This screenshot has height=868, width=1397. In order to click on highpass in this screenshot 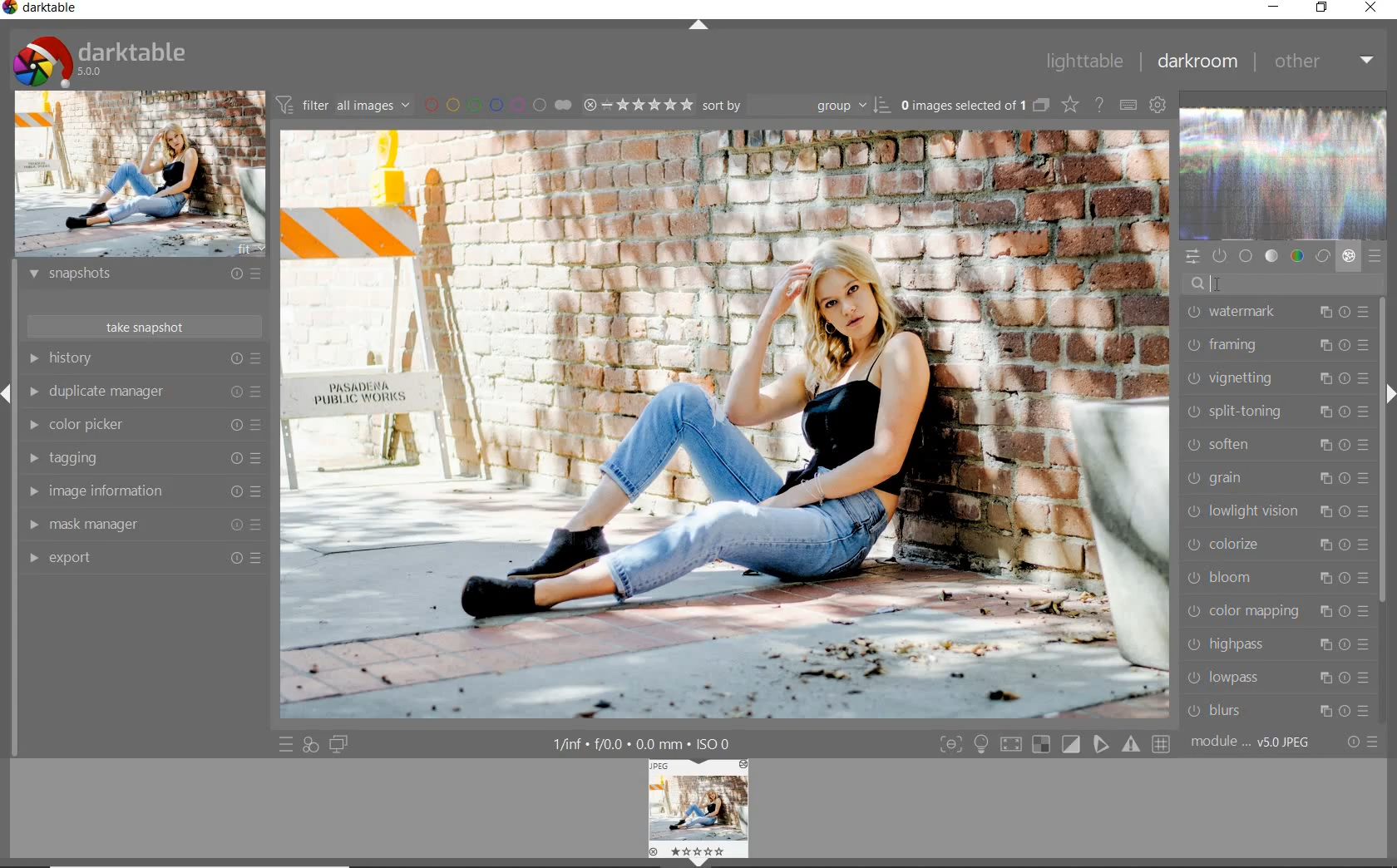, I will do `click(1275, 645)`.